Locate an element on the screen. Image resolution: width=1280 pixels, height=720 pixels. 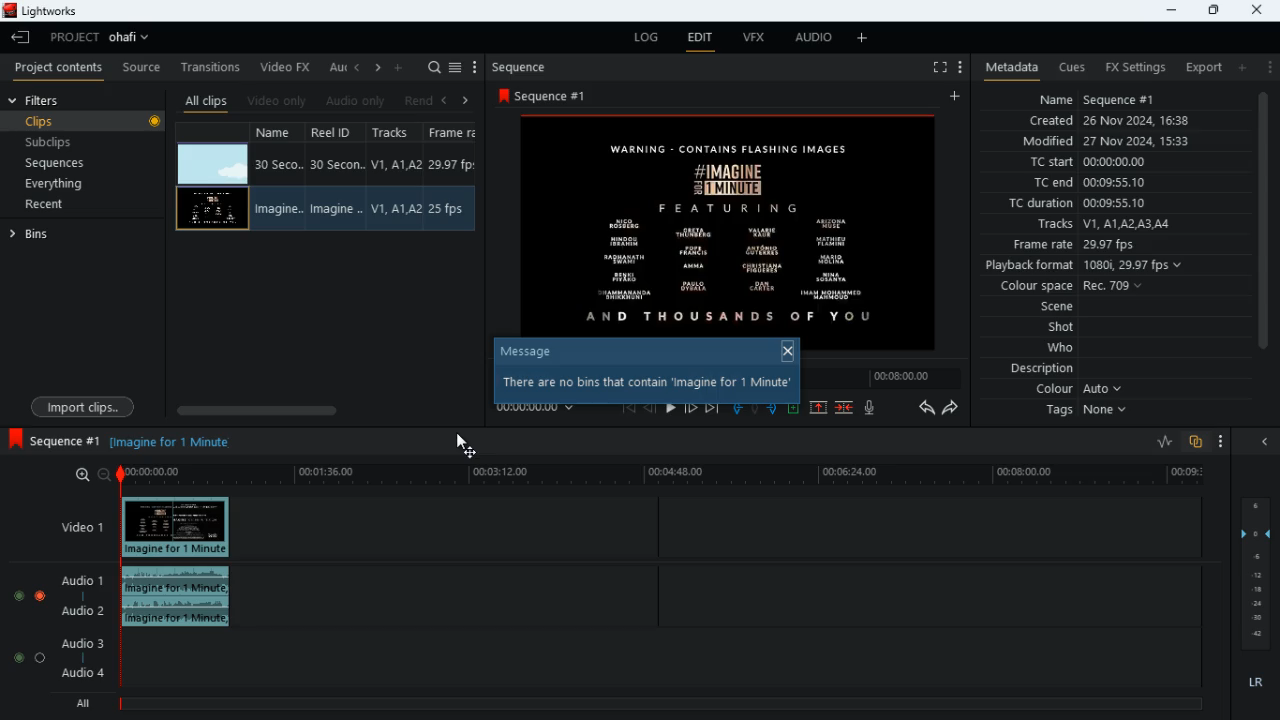
au is located at coordinates (338, 67).